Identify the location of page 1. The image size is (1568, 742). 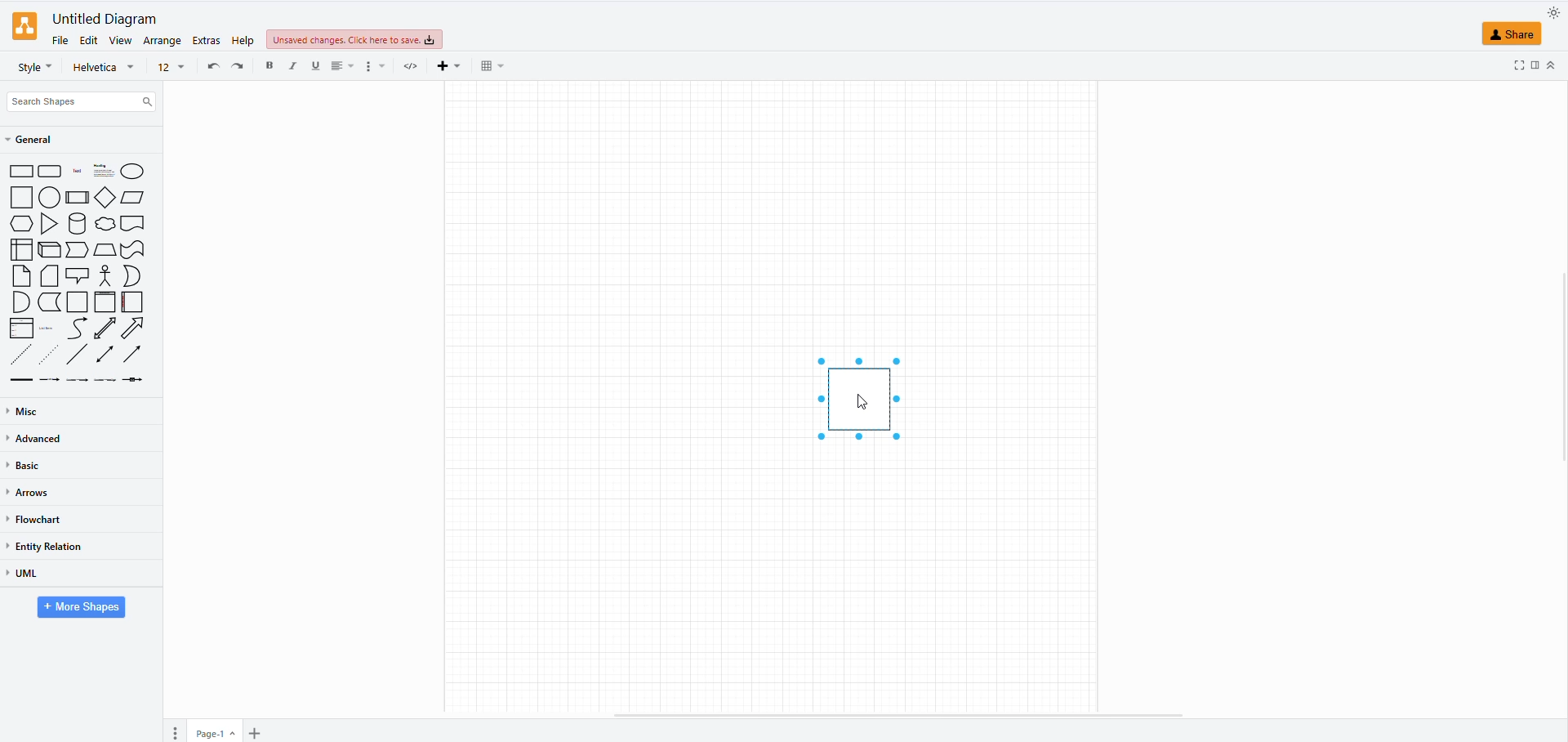
(211, 734).